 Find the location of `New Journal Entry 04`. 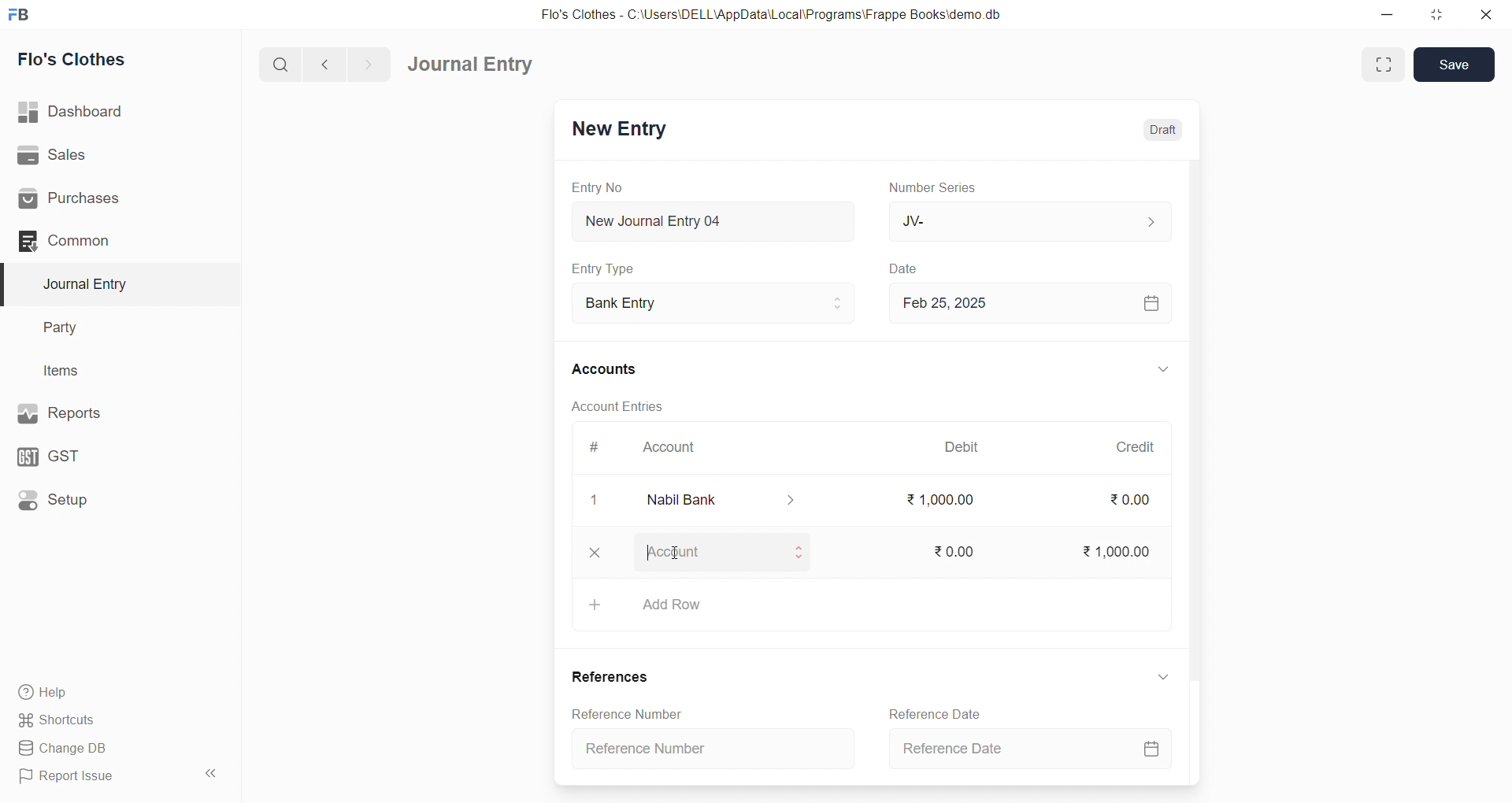

New Journal Entry 04 is located at coordinates (710, 220).